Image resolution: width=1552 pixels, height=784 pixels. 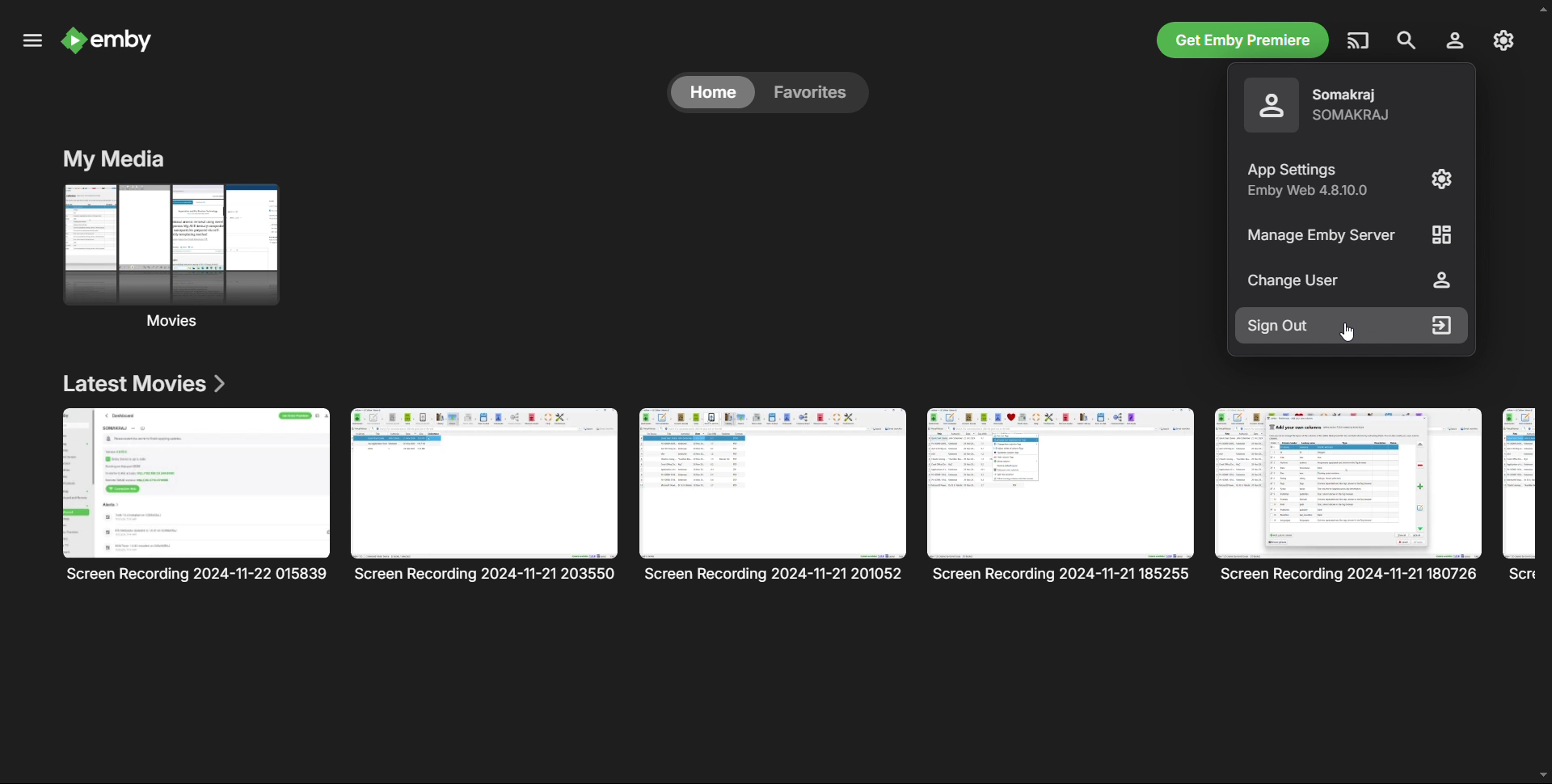 What do you see at coordinates (774, 495) in the screenshot?
I see `Movie` at bounding box center [774, 495].